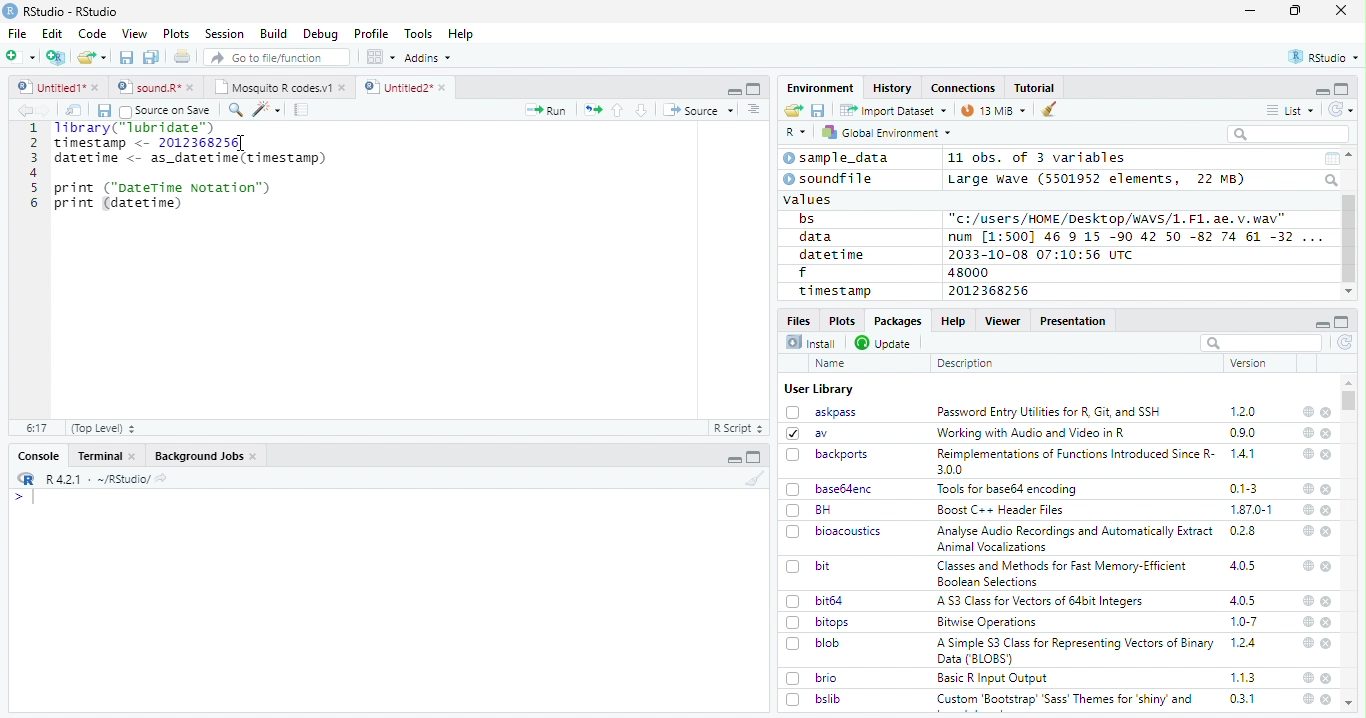 The image size is (1366, 718). Describe the element at coordinates (188, 144) in the screenshot. I see `library ("lubridate") Timestamp <- 2012368256]datetime <- as_datetime(timestamp)` at that location.